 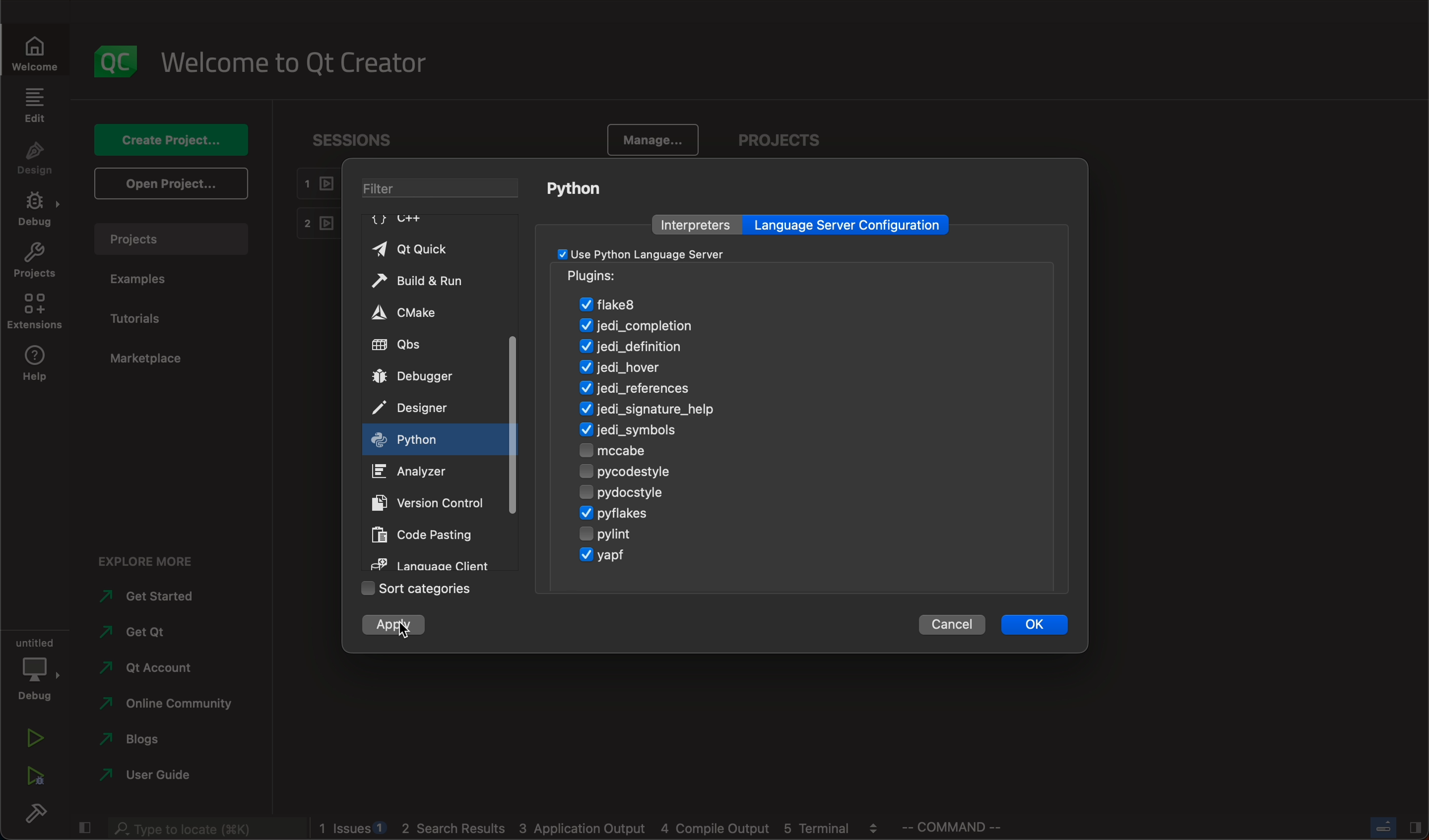 I want to click on version, so click(x=431, y=502).